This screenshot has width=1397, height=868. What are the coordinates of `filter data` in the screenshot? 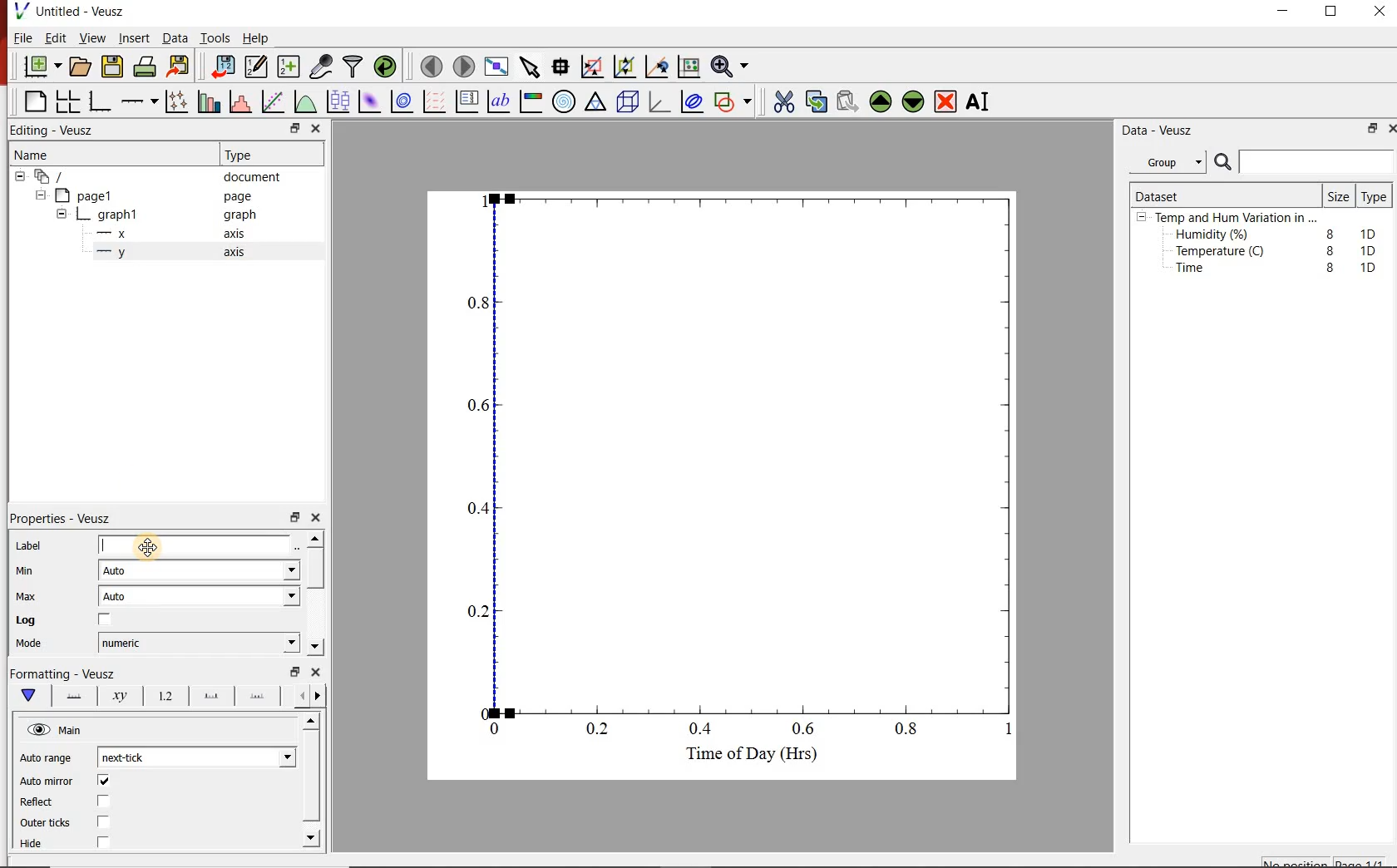 It's located at (353, 67).